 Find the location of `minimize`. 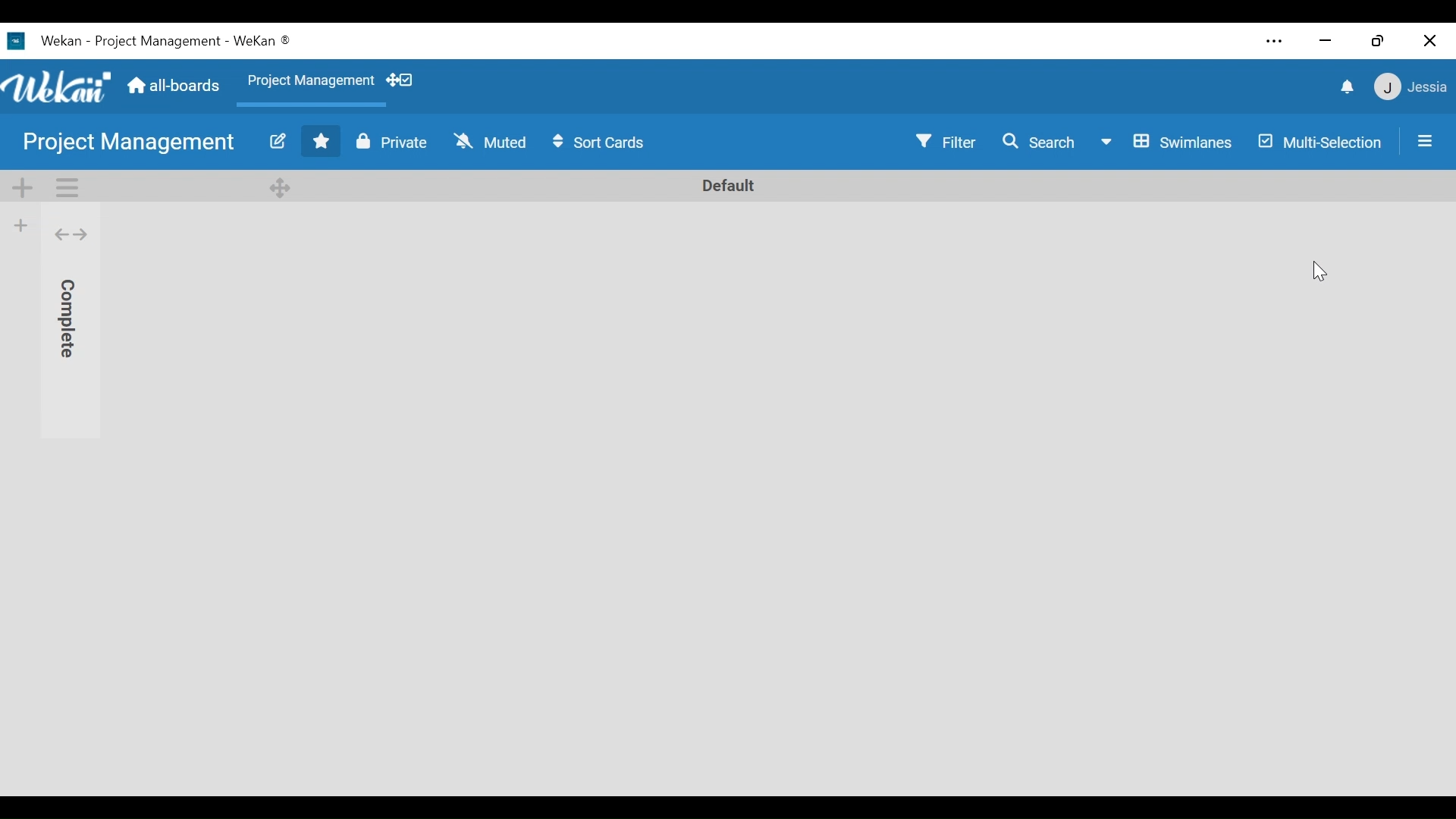

minimize is located at coordinates (1327, 40).